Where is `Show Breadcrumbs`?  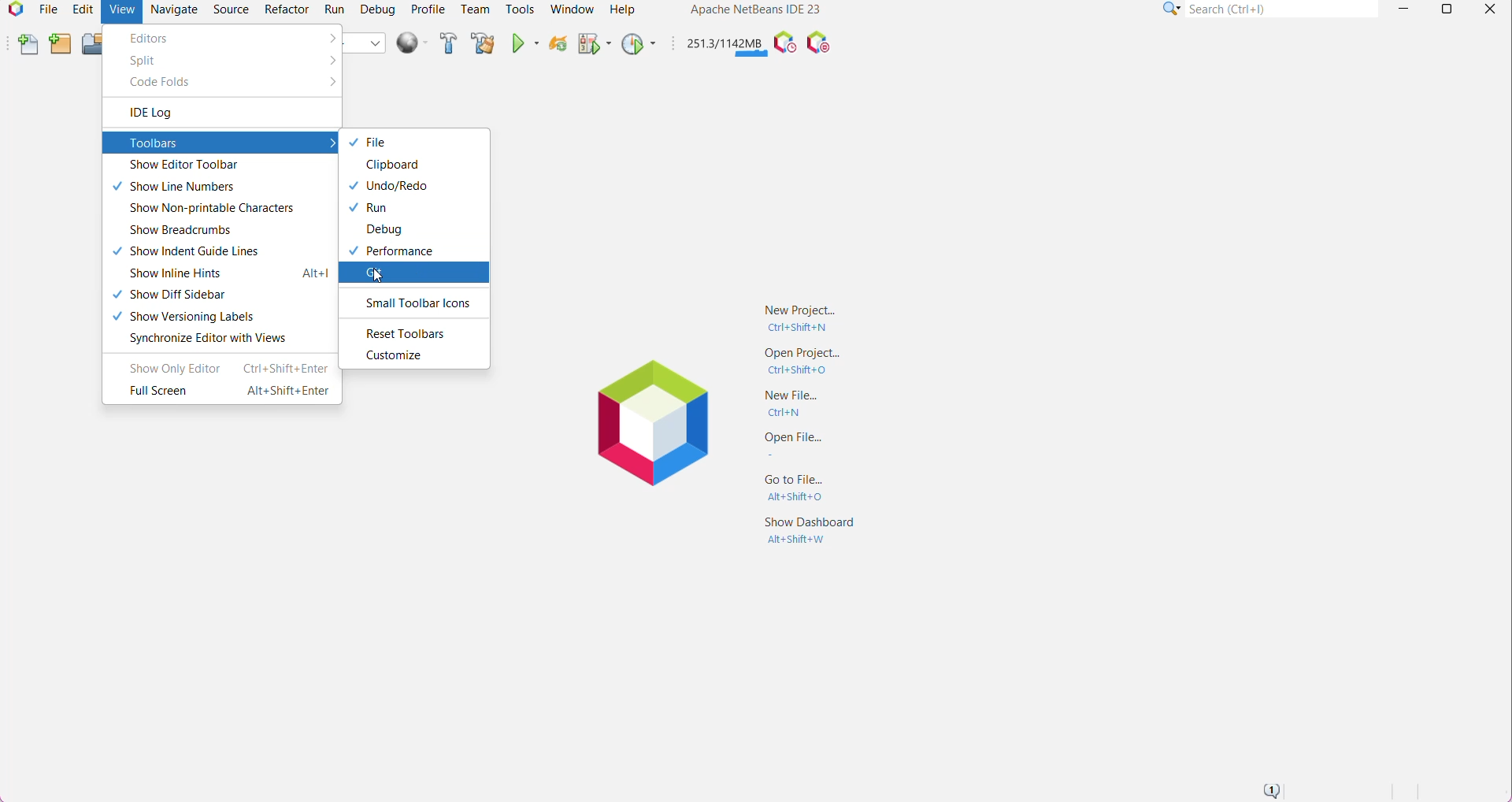
Show Breadcrumbs is located at coordinates (179, 232).